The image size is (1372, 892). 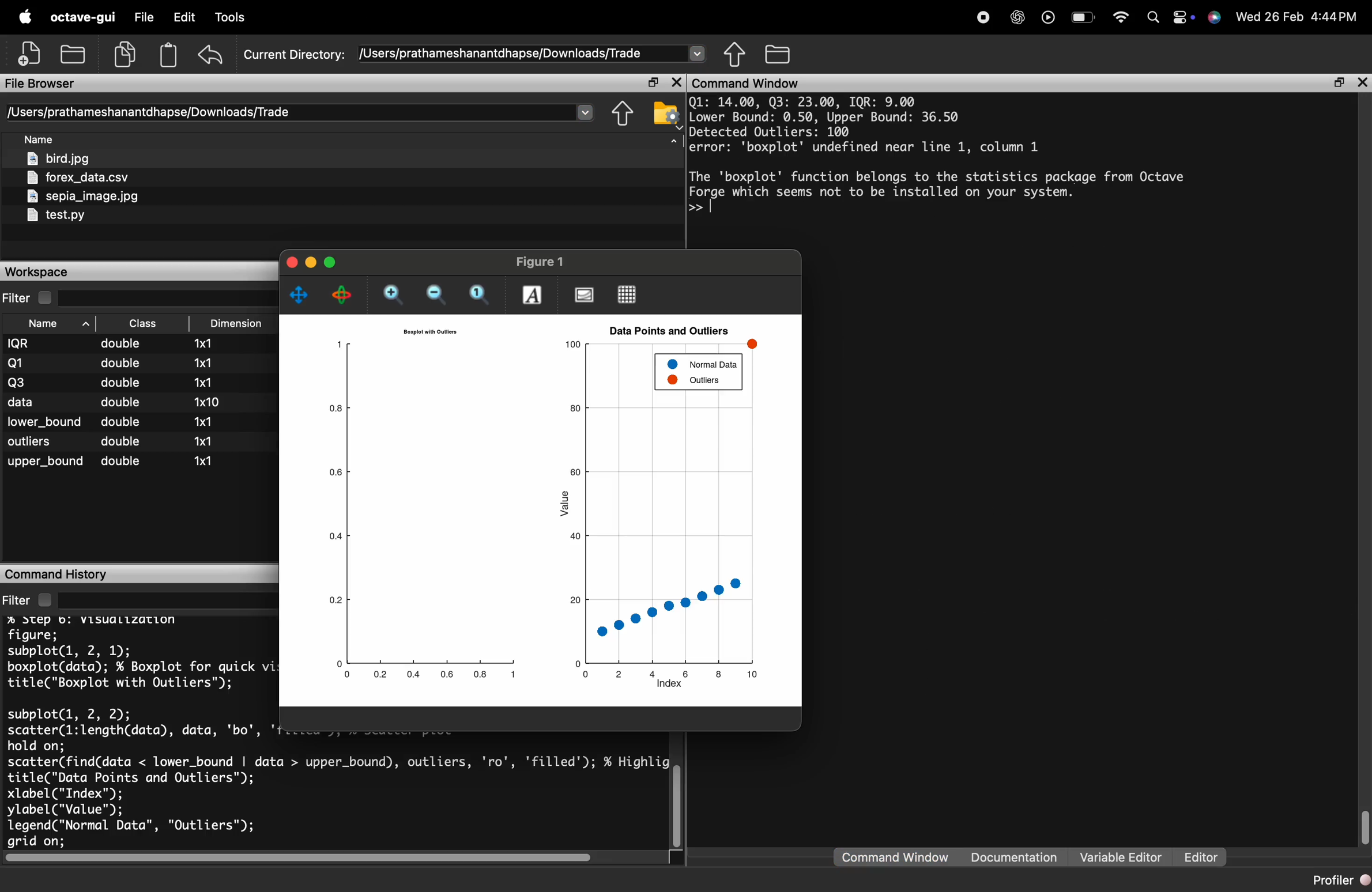 What do you see at coordinates (40, 84) in the screenshot?
I see `File Browser
Bi ini. 6` at bounding box center [40, 84].